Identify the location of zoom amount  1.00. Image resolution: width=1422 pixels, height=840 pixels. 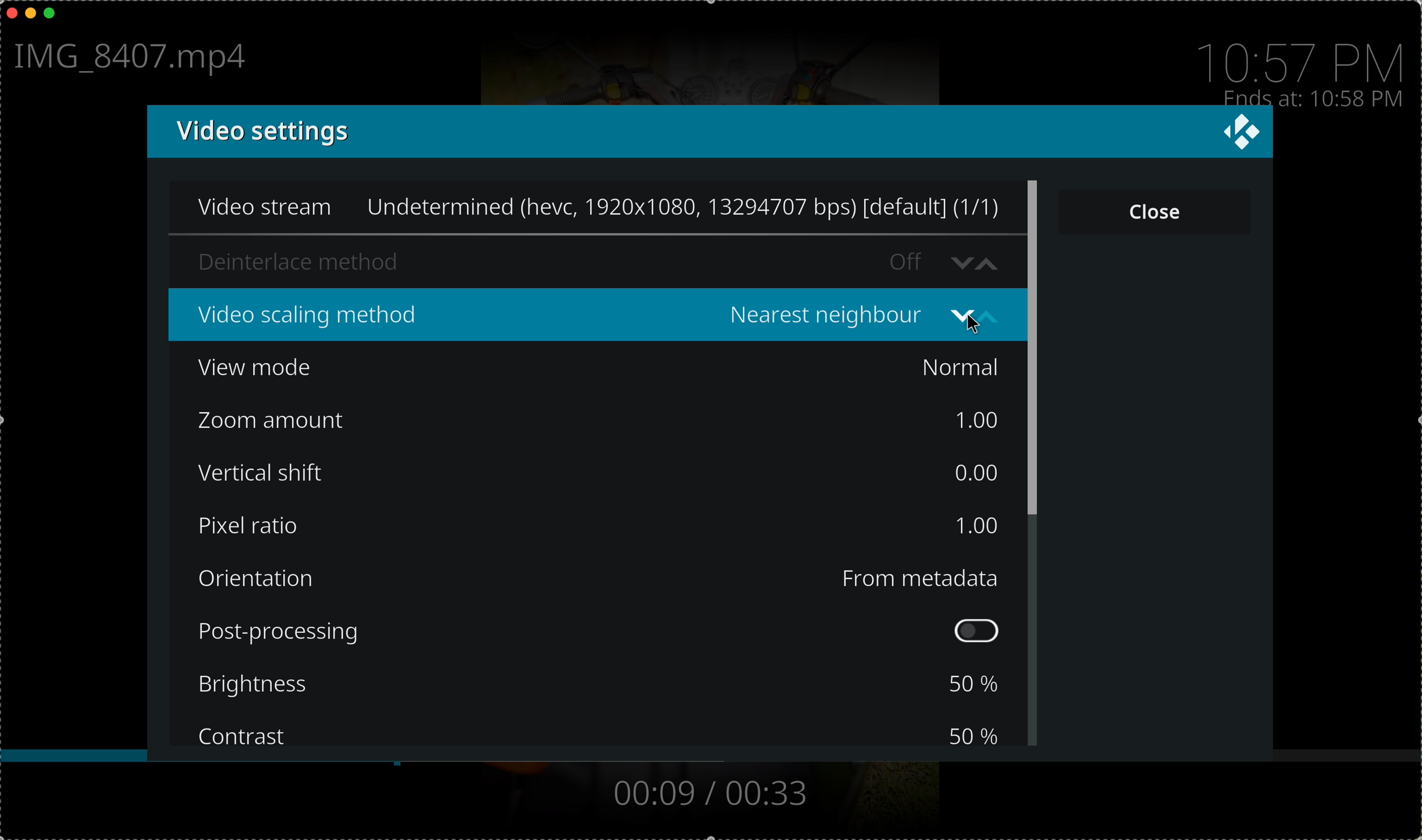
(601, 422).